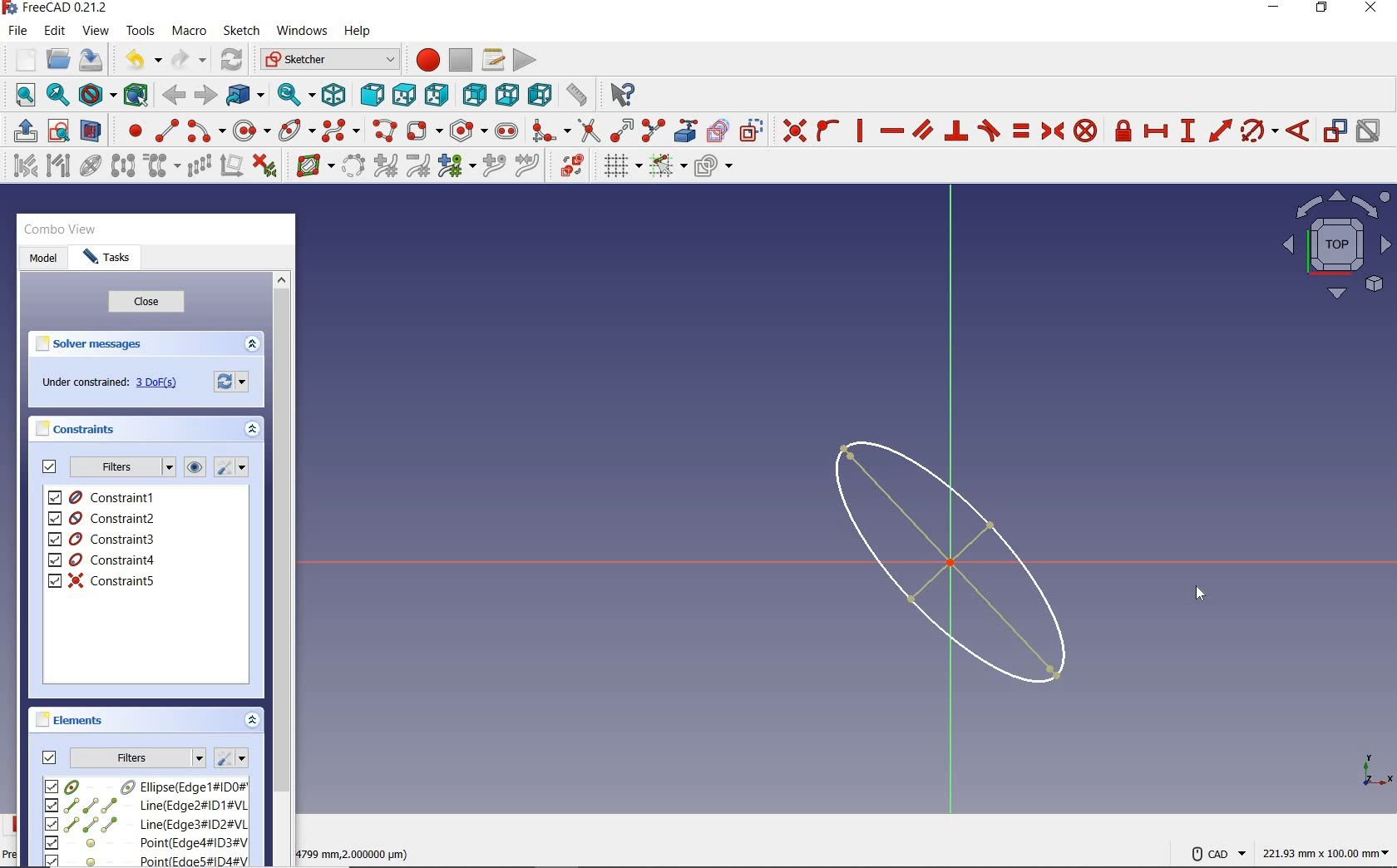 The image size is (1397, 868). Describe the element at coordinates (456, 165) in the screenshot. I see `modify knot multiplicity` at that location.